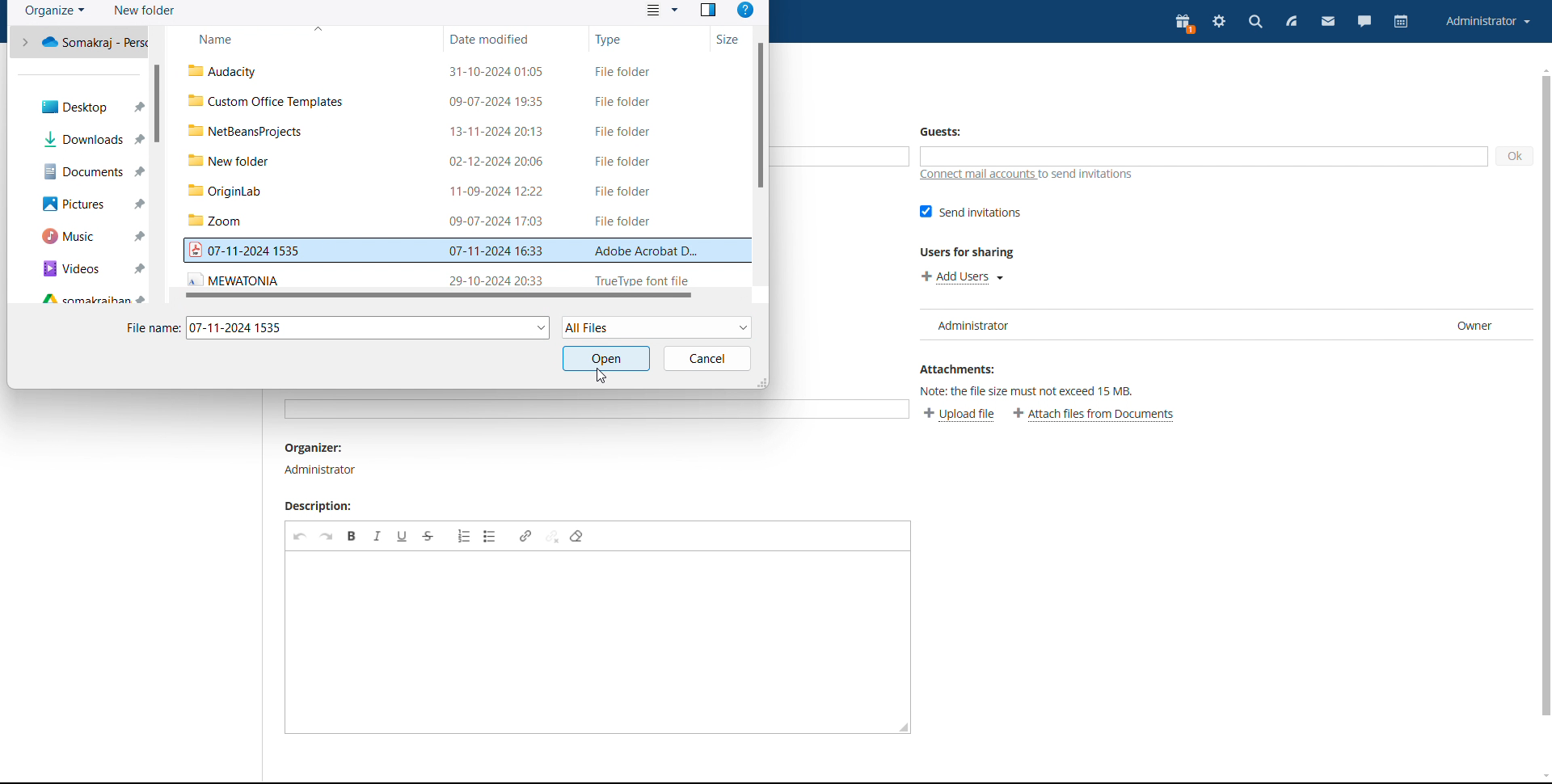 The height and width of the screenshot is (784, 1552). Describe the element at coordinates (458, 66) in the screenshot. I see `files` at that location.